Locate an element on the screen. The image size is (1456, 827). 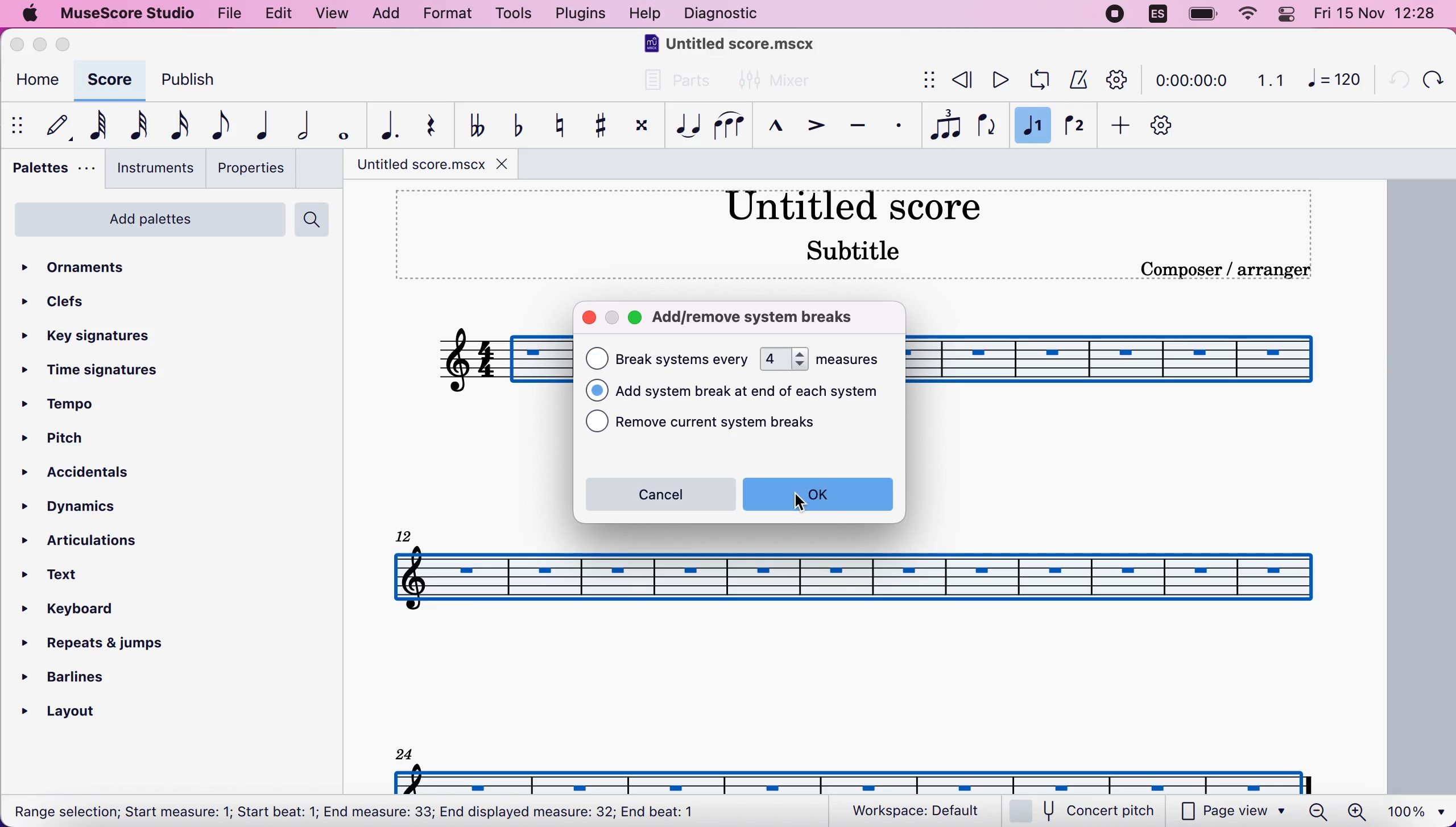
toggle natural is located at coordinates (555, 125).